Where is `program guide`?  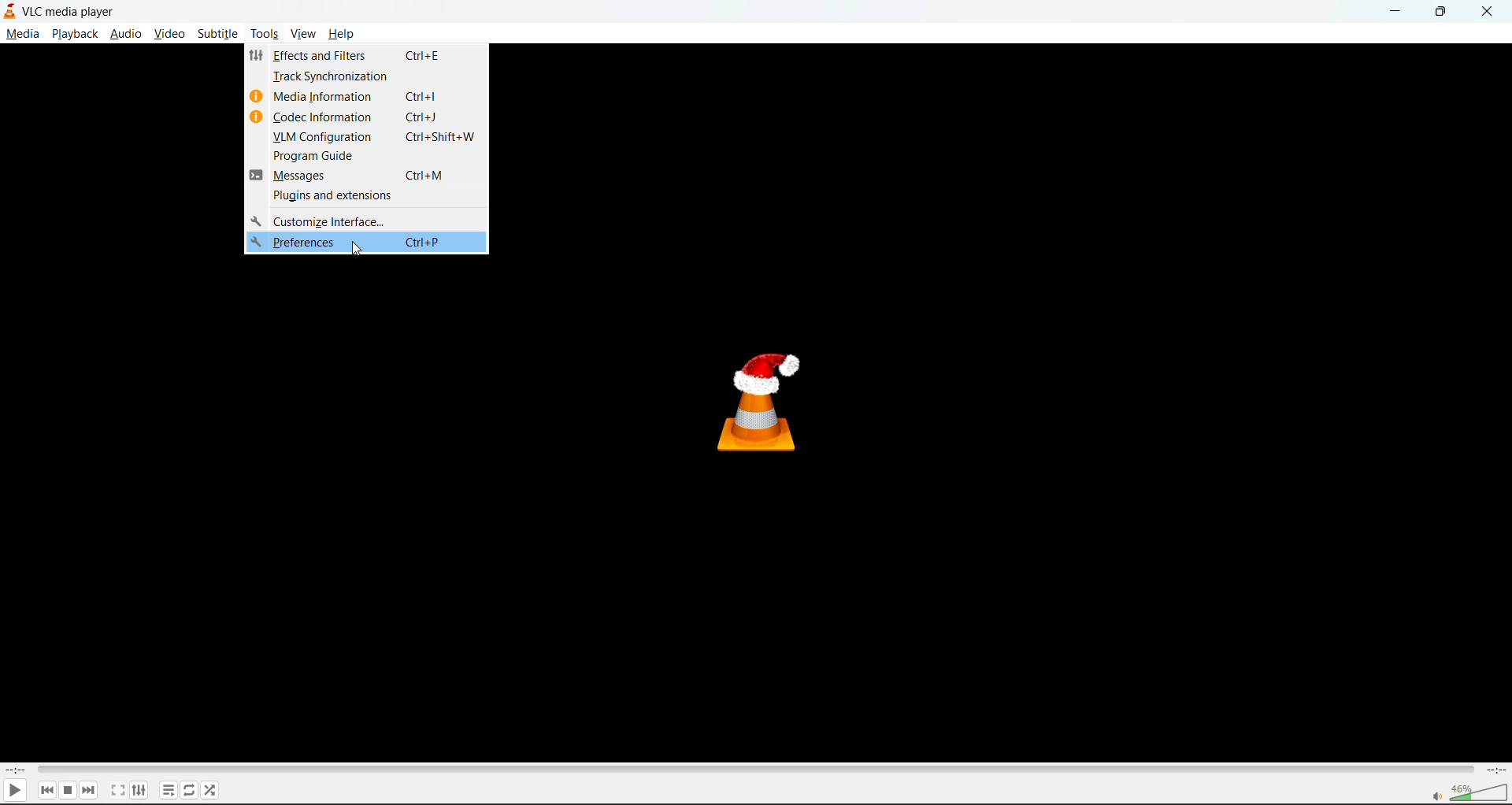
program guide is located at coordinates (317, 157).